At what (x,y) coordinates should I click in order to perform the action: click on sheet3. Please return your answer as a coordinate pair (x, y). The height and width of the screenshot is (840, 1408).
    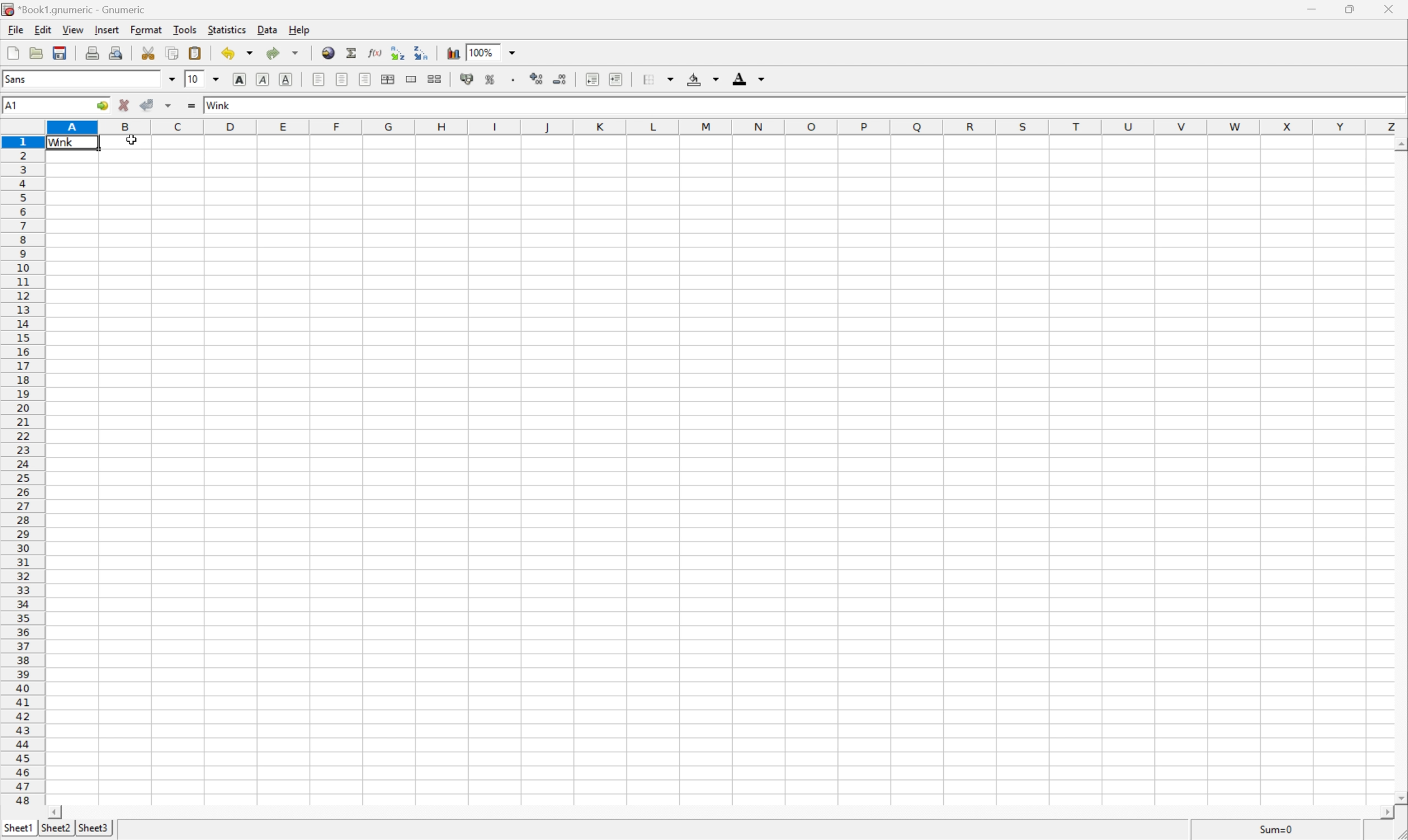
    Looking at the image, I should click on (93, 828).